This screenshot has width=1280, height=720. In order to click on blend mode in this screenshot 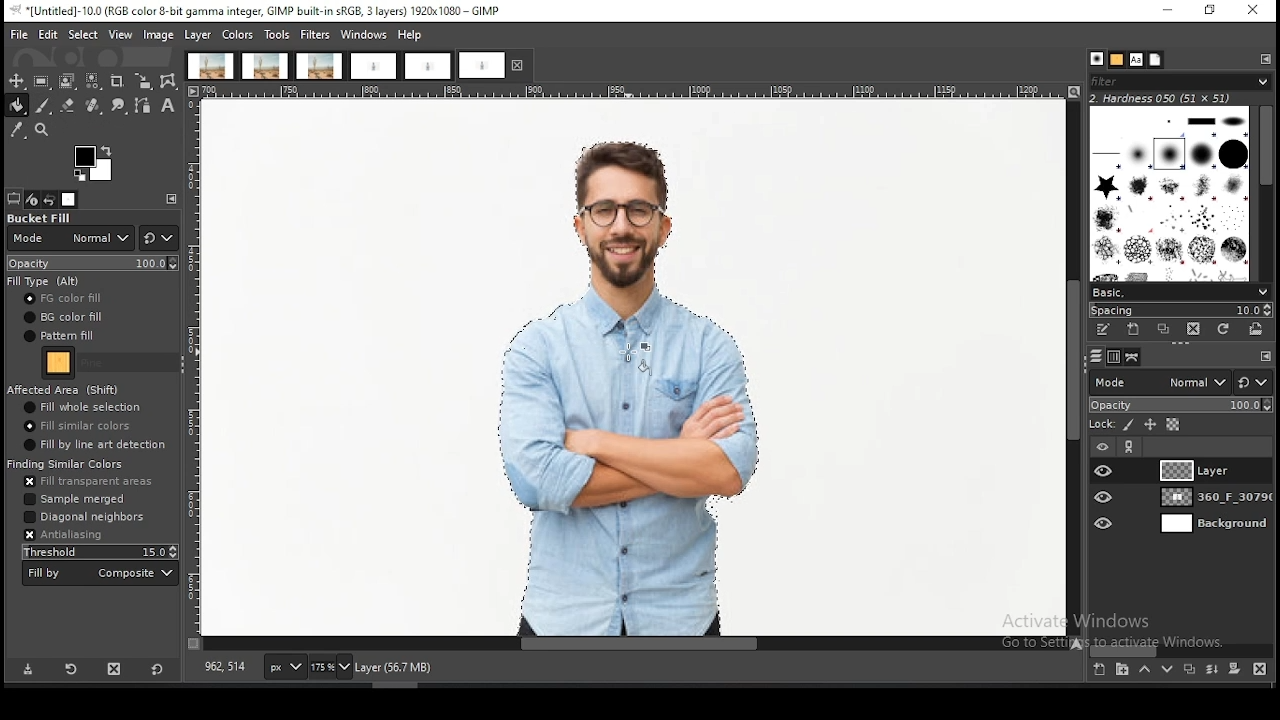, I will do `click(1159, 382)`.